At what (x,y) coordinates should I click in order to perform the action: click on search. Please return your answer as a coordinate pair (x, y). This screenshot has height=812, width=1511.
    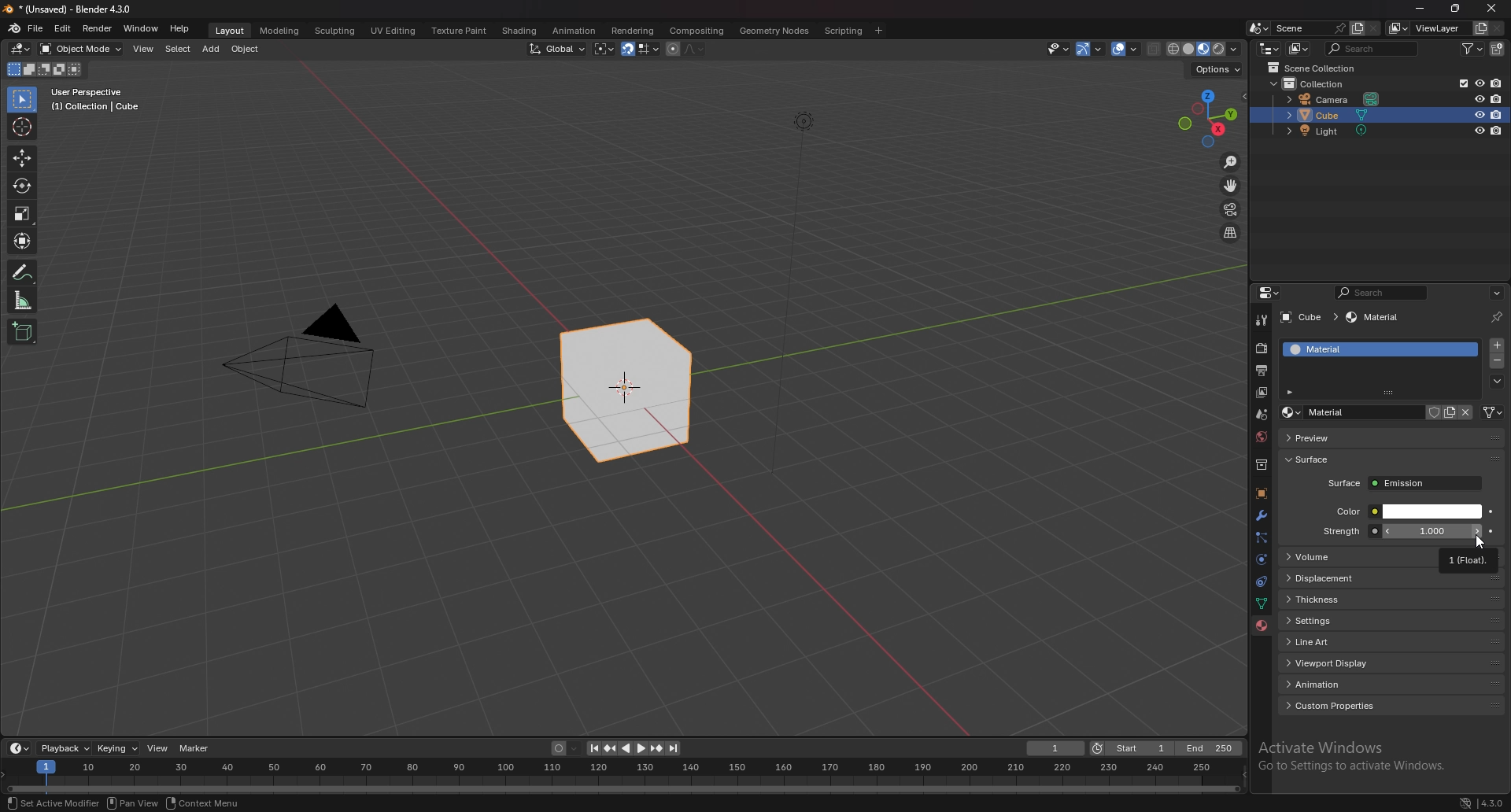
    Looking at the image, I should click on (1385, 293).